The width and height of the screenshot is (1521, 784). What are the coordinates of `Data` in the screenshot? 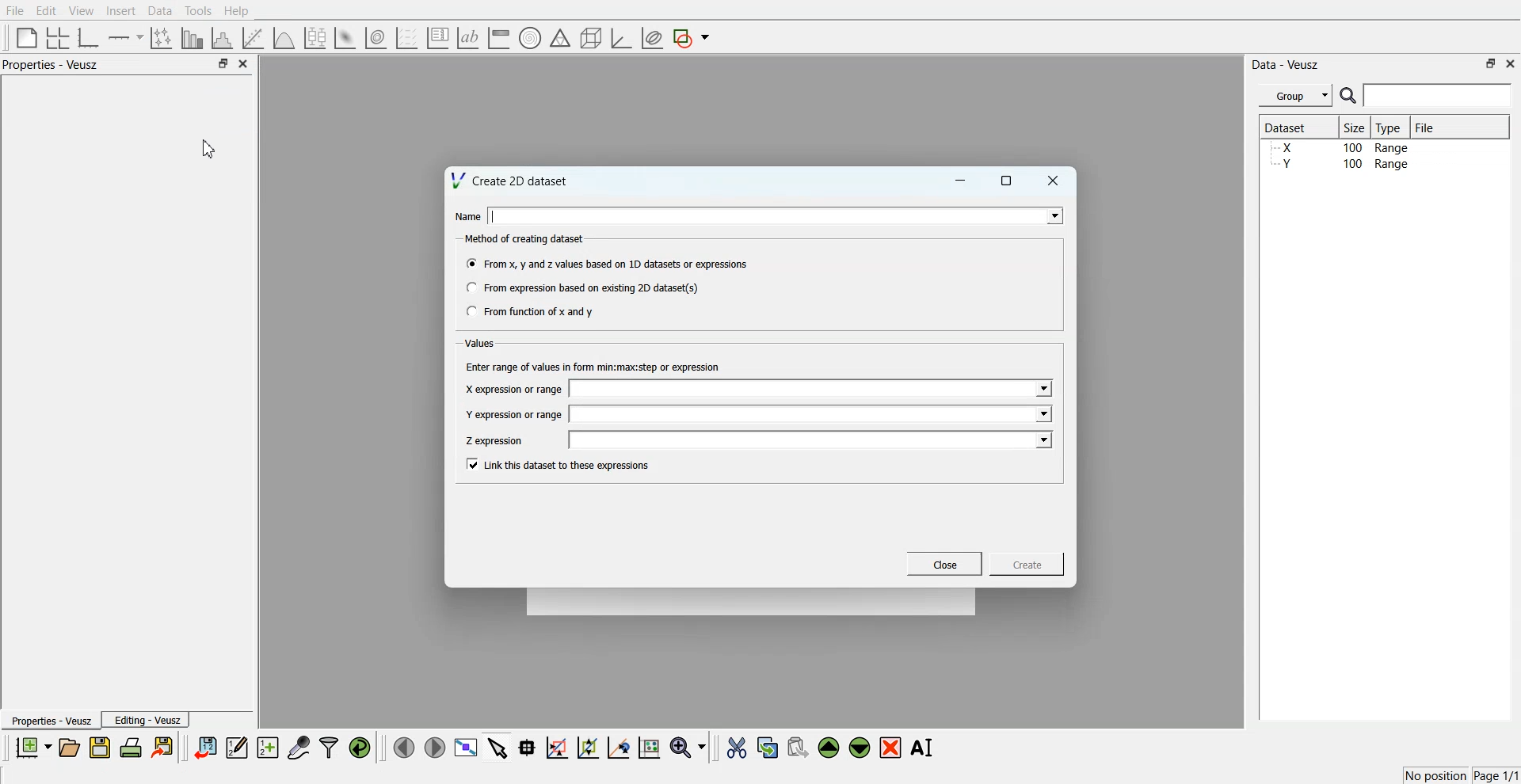 It's located at (162, 11).